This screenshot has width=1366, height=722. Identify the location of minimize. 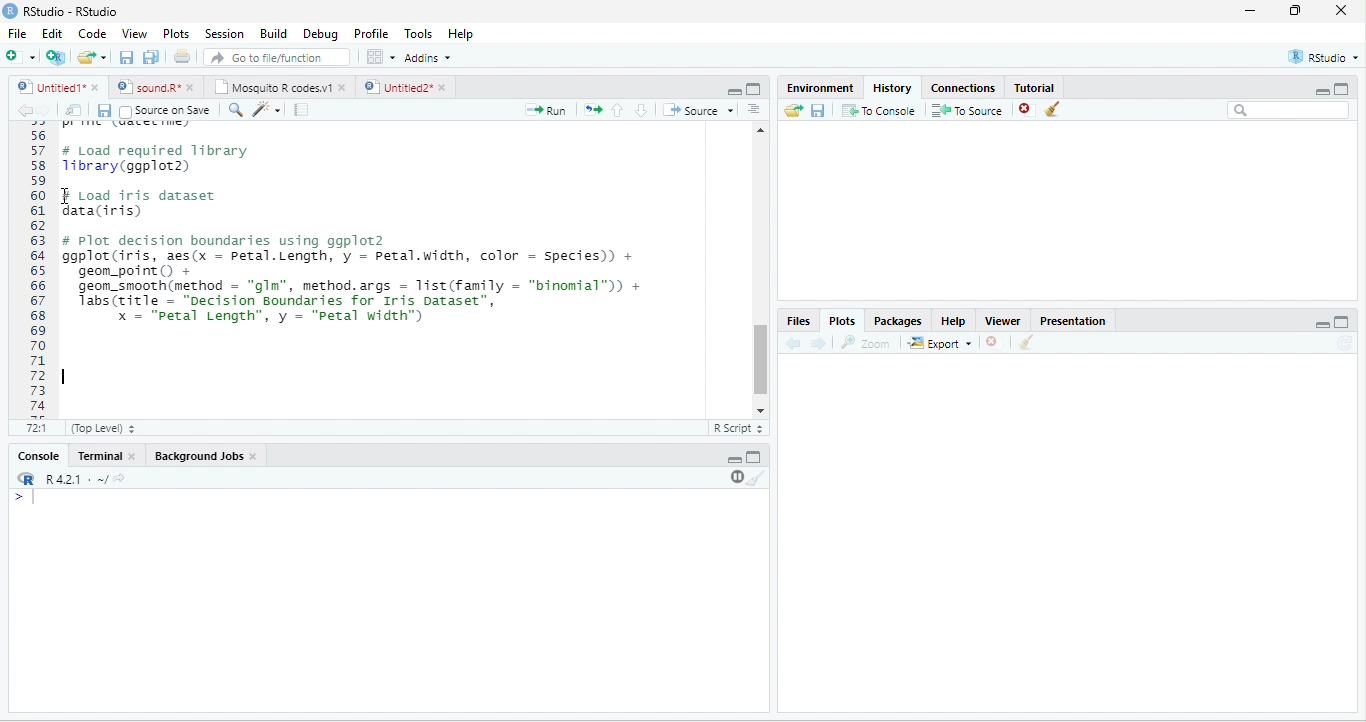
(735, 460).